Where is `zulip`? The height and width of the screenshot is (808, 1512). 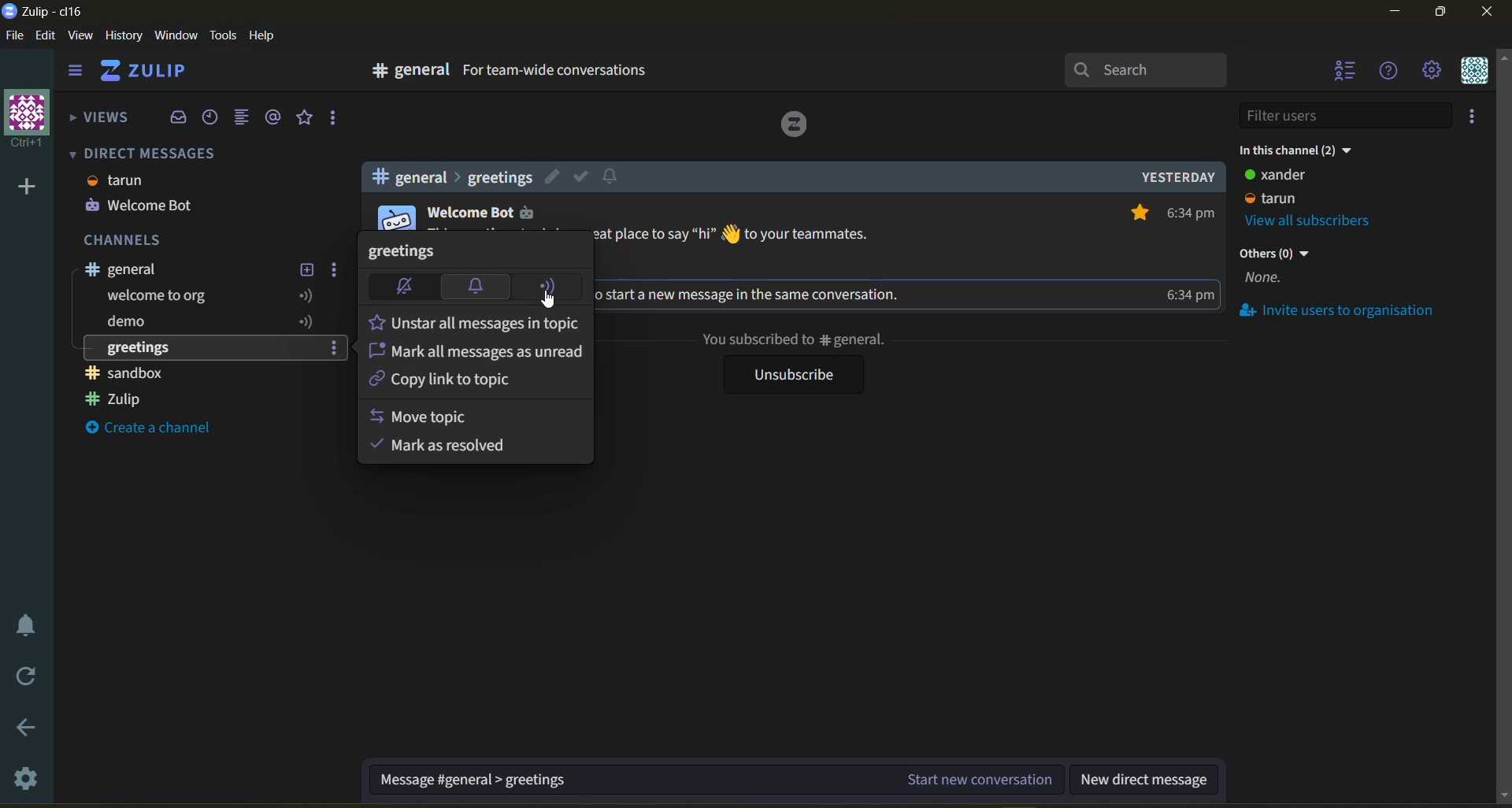 zulip is located at coordinates (128, 399).